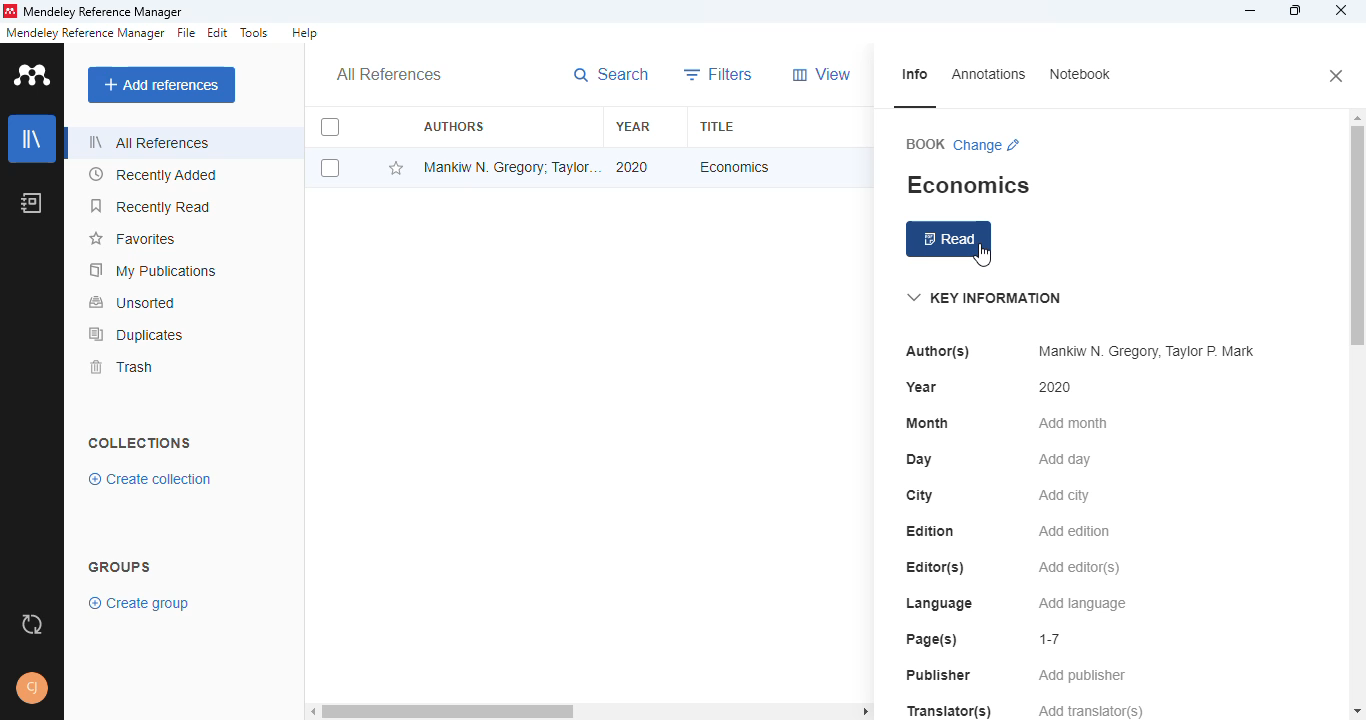  Describe the element at coordinates (31, 138) in the screenshot. I see `library` at that location.